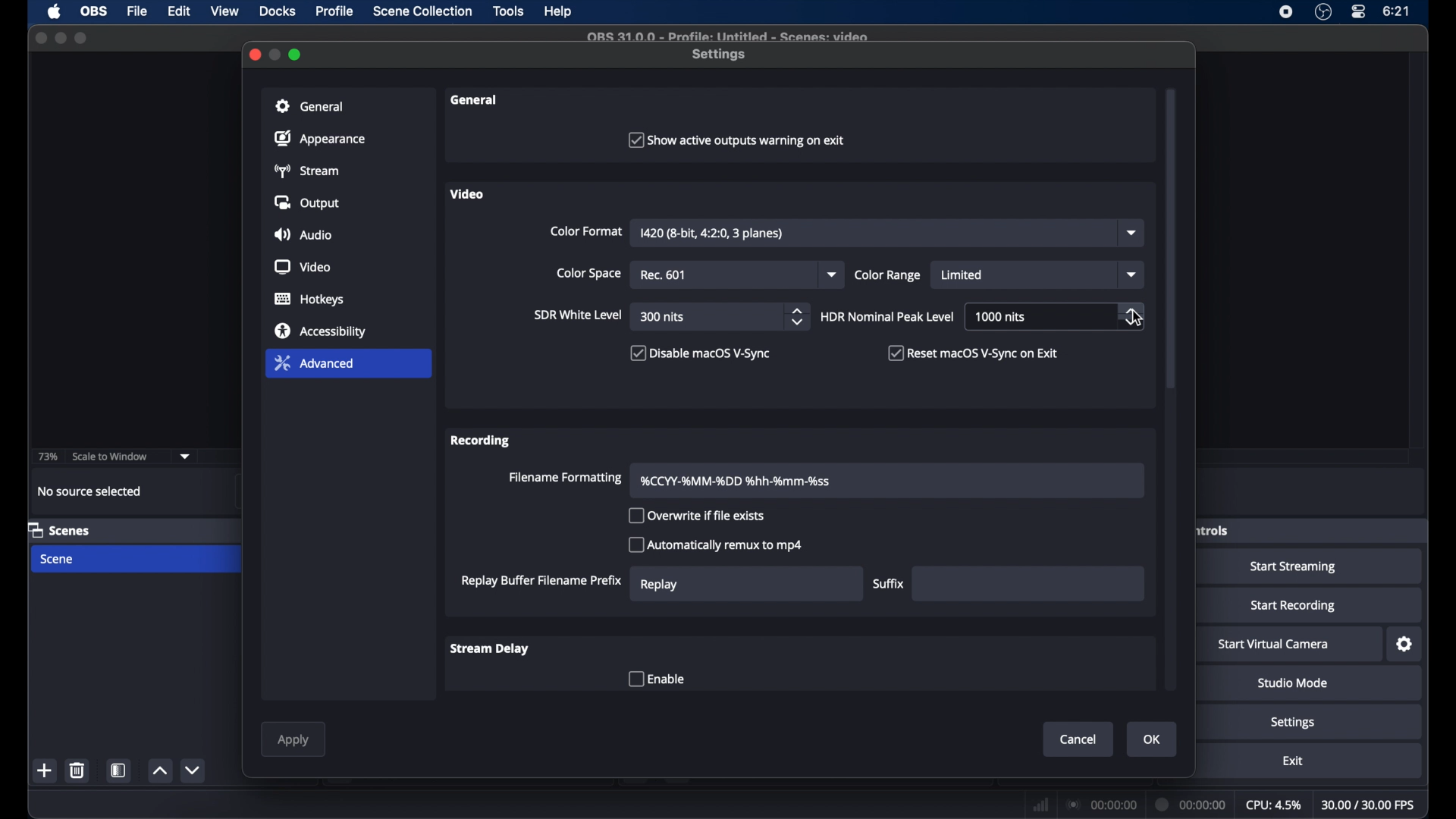 This screenshot has height=819, width=1456. What do you see at coordinates (303, 234) in the screenshot?
I see `audio` at bounding box center [303, 234].